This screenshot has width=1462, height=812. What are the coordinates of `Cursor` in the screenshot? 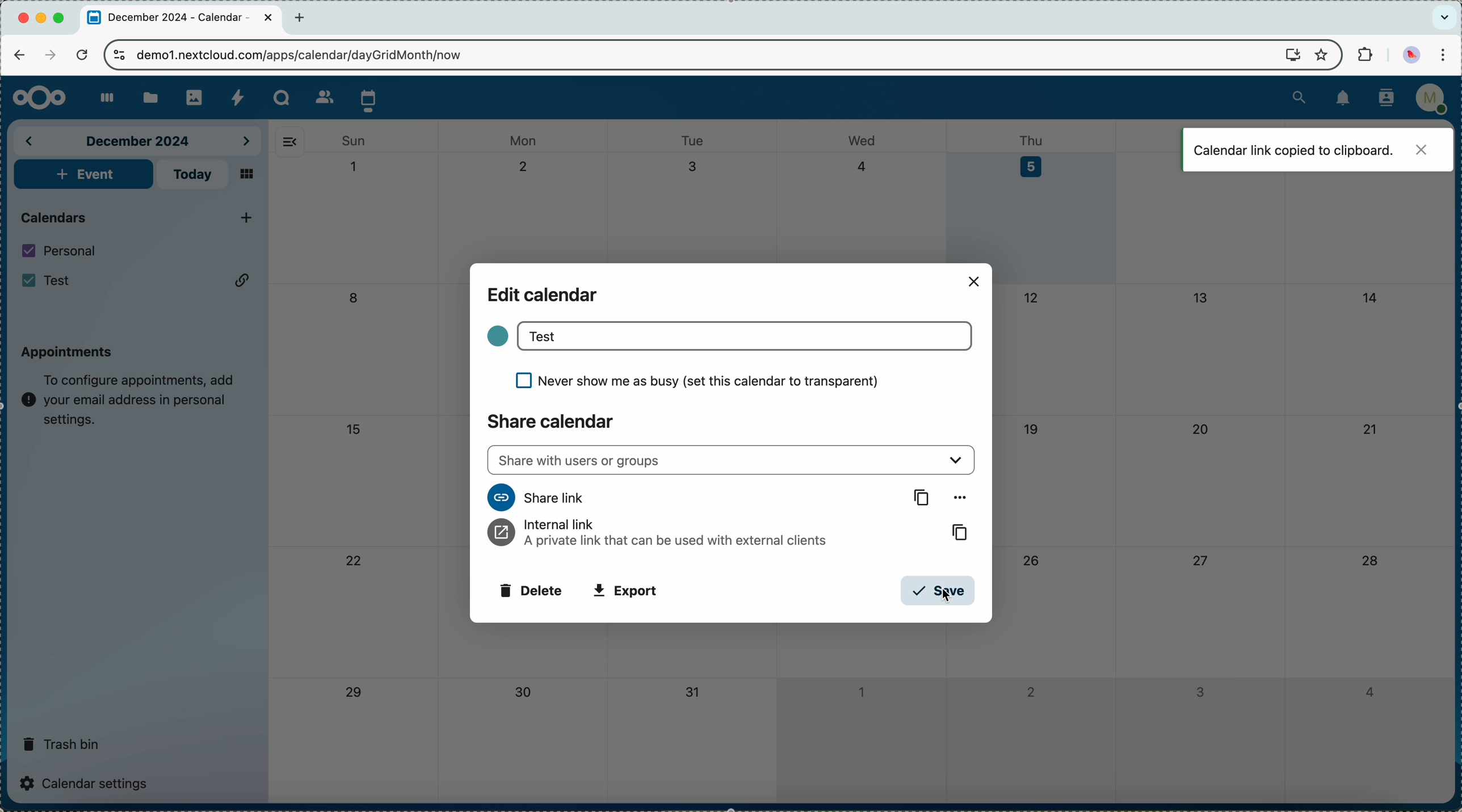 It's located at (945, 595).